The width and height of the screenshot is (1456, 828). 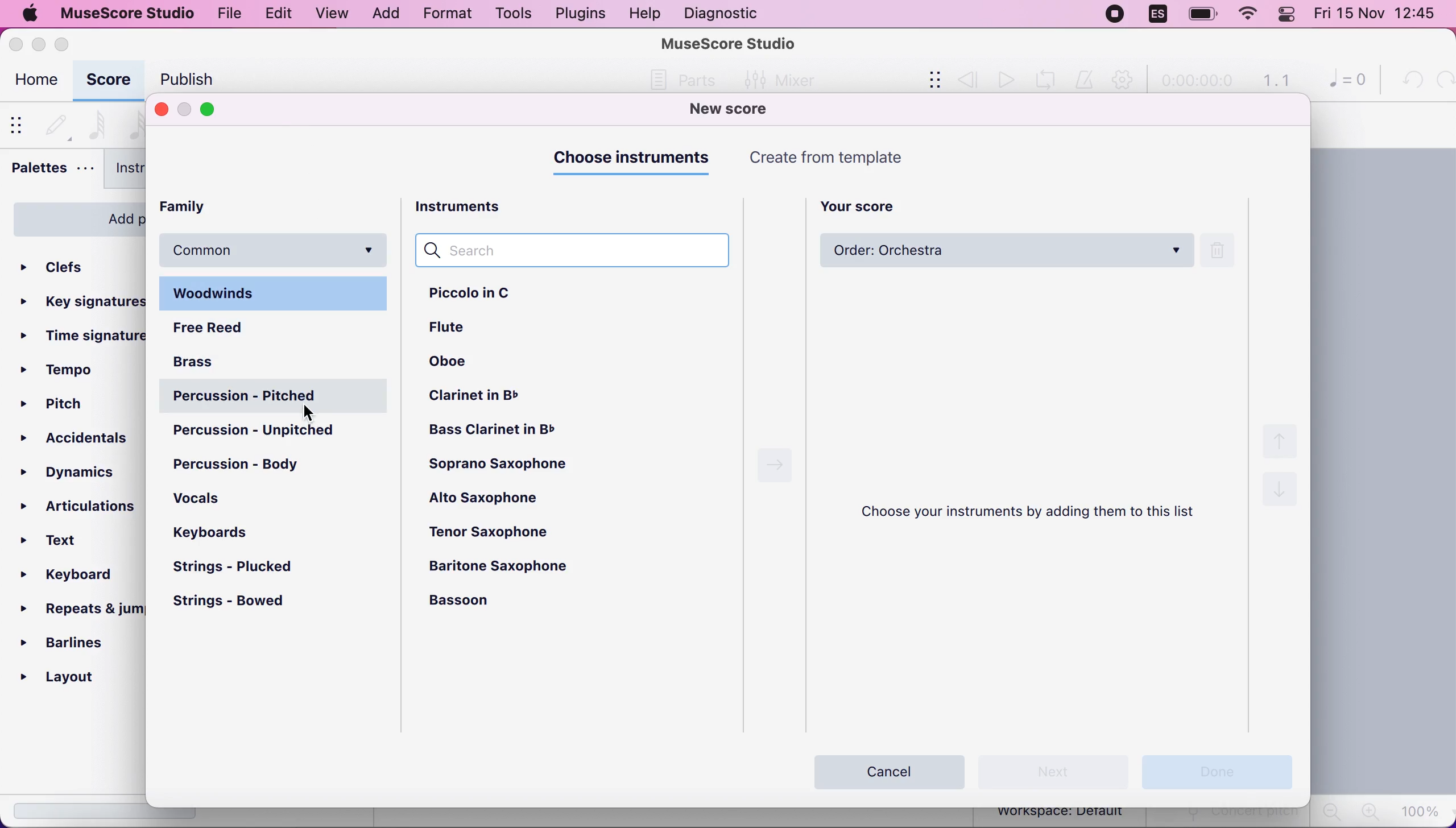 I want to click on undo, so click(x=1409, y=80).